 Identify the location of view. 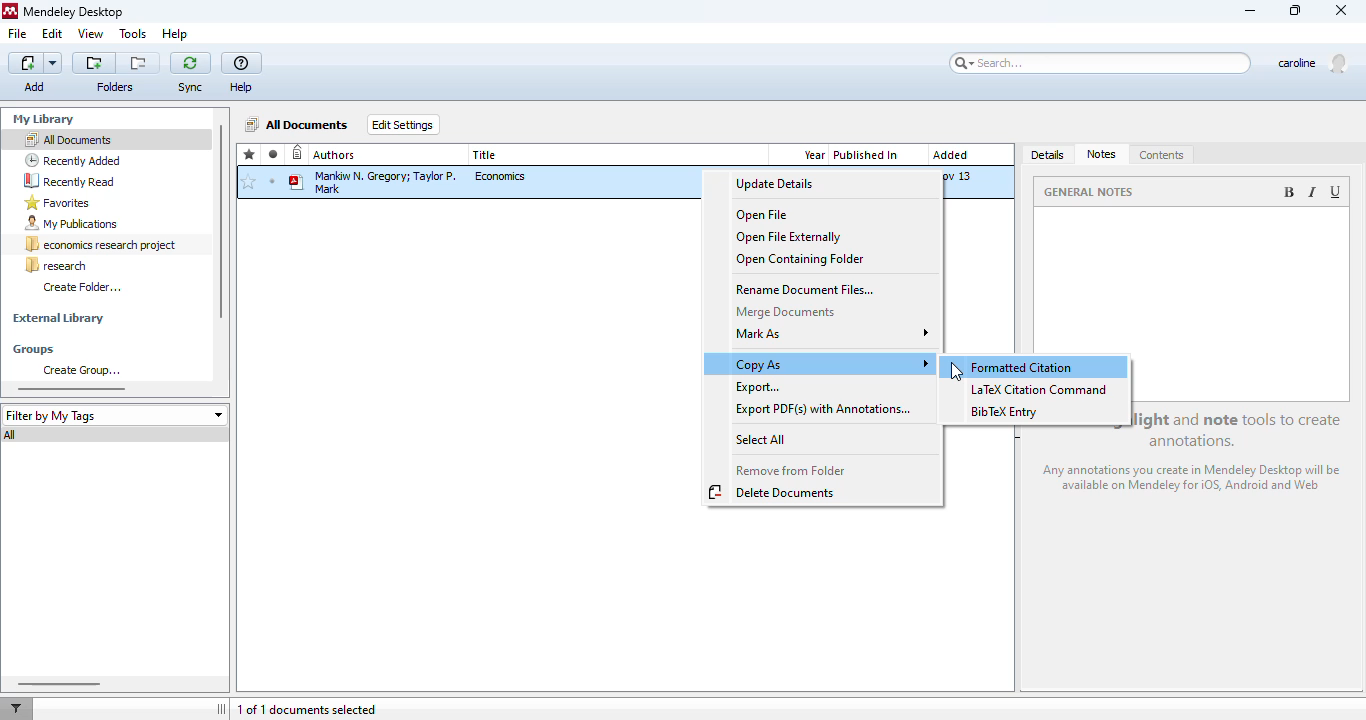
(91, 33).